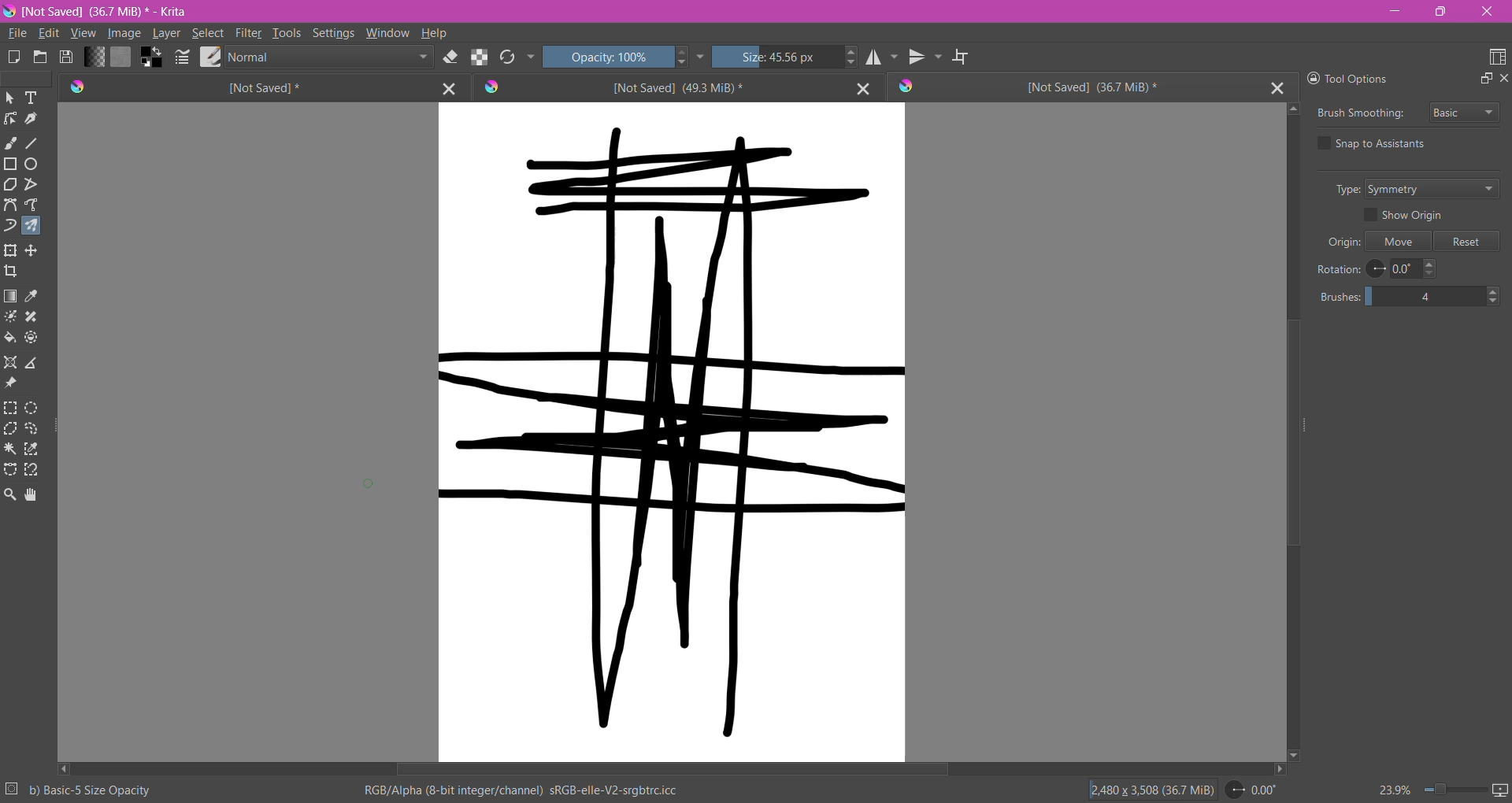  Describe the element at coordinates (1428, 790) in the screenshot. I see `Zoom Control` at that location.